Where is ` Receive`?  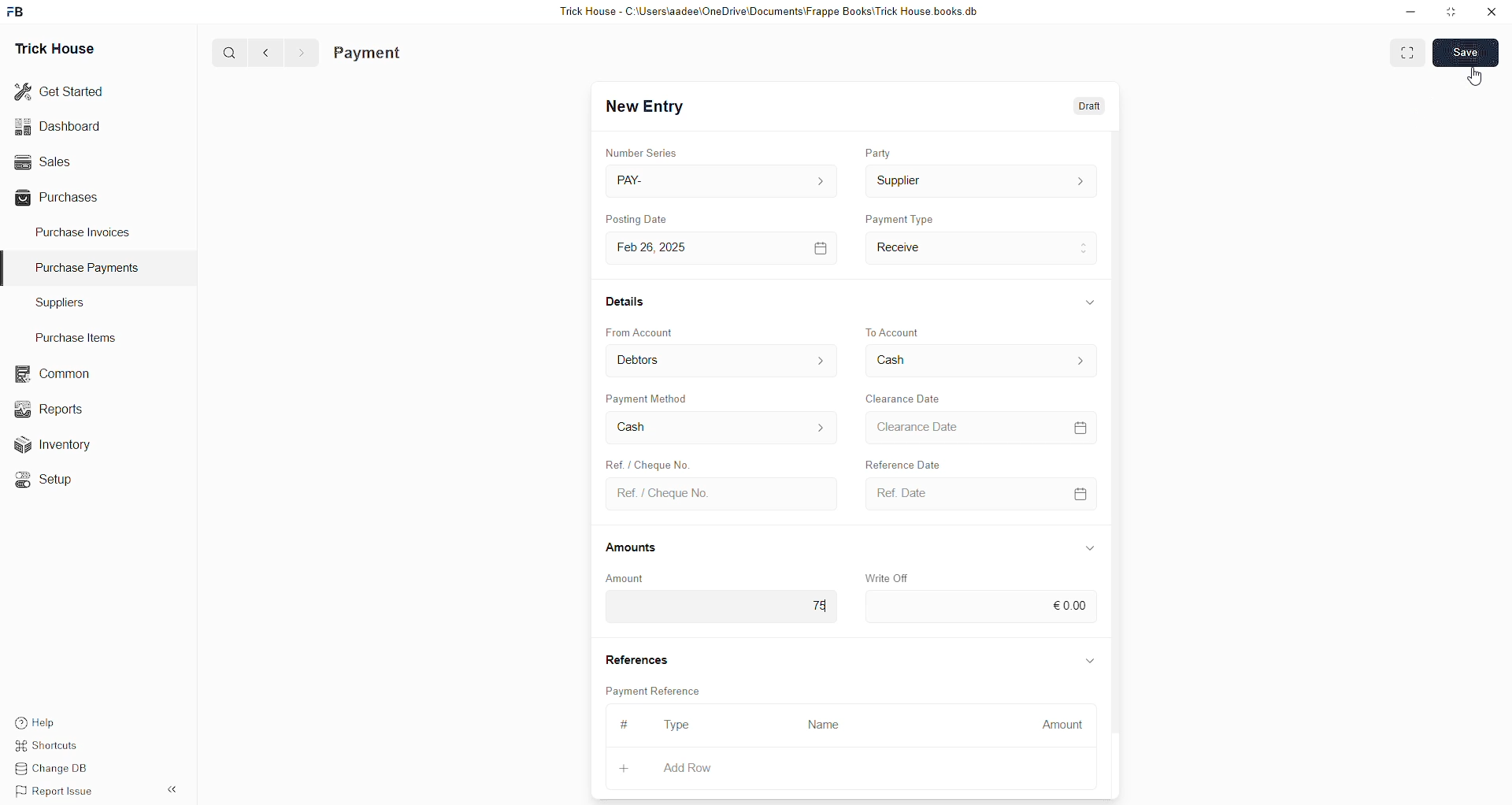
 Receive is located at coordinates (981, 247).